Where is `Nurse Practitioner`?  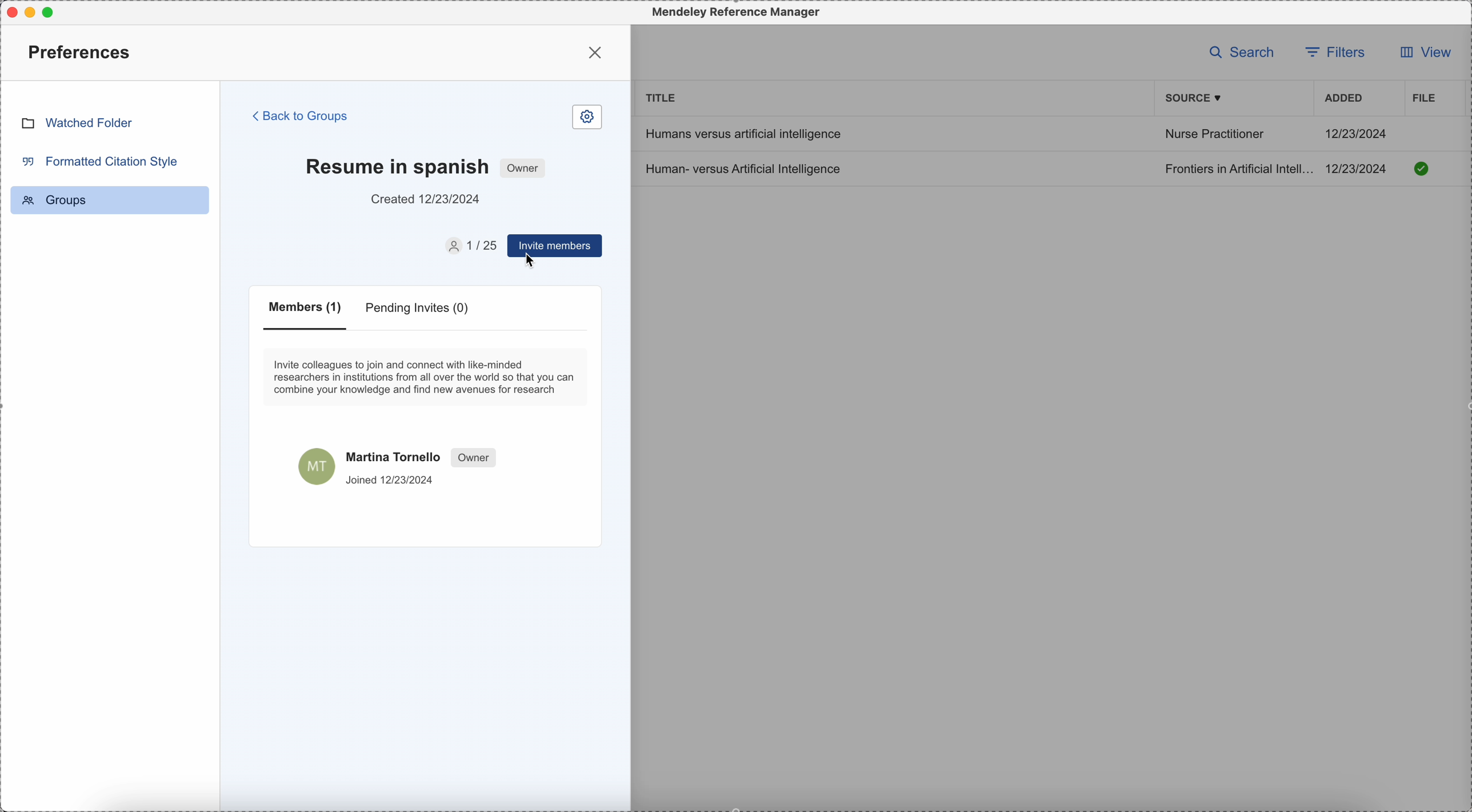
Nurse Practitioner is located at coordinates (1214, 136).